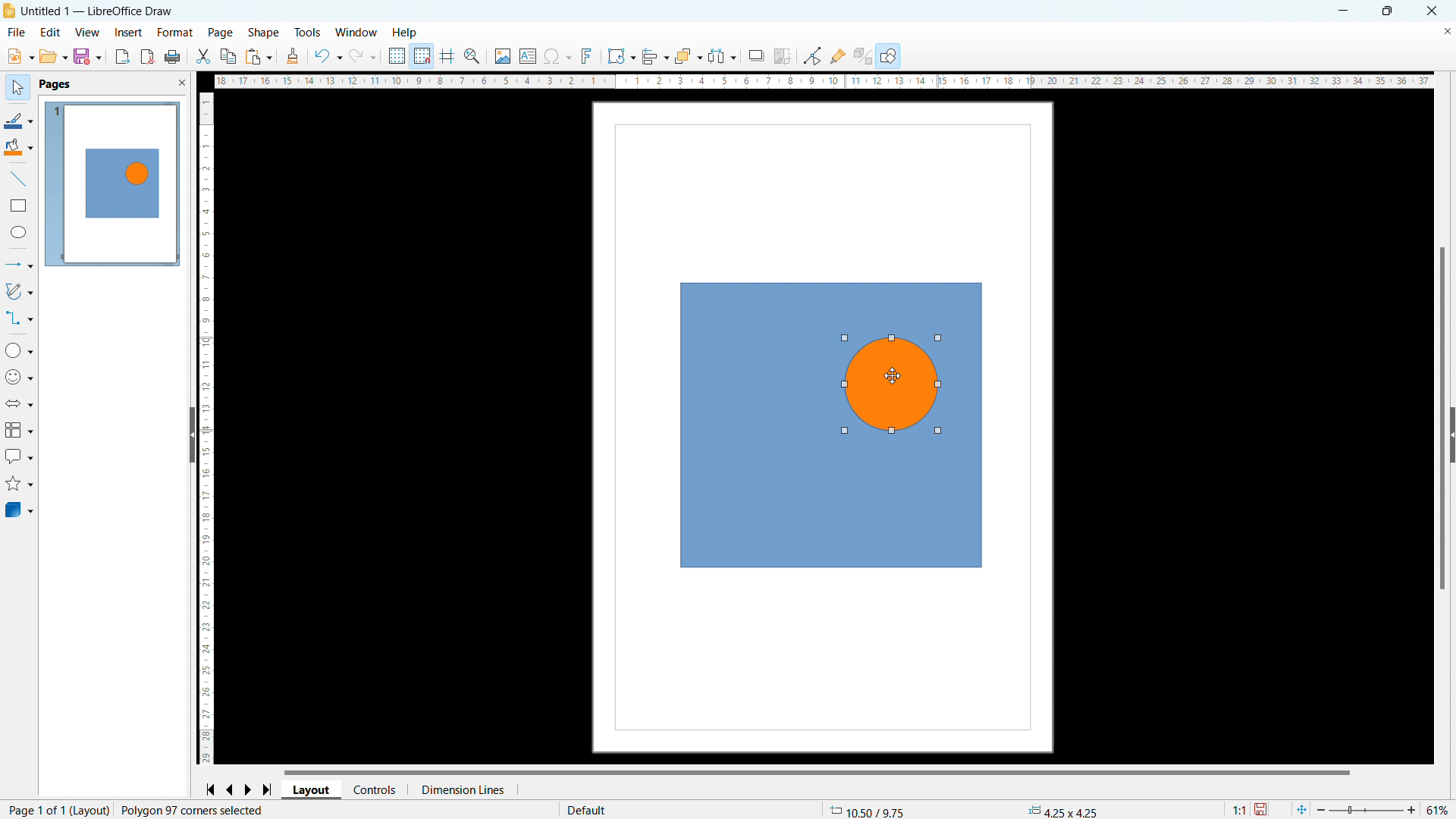 This screenshot has height=819, width=1456. I want to click on go to last page, so click(268, 789).